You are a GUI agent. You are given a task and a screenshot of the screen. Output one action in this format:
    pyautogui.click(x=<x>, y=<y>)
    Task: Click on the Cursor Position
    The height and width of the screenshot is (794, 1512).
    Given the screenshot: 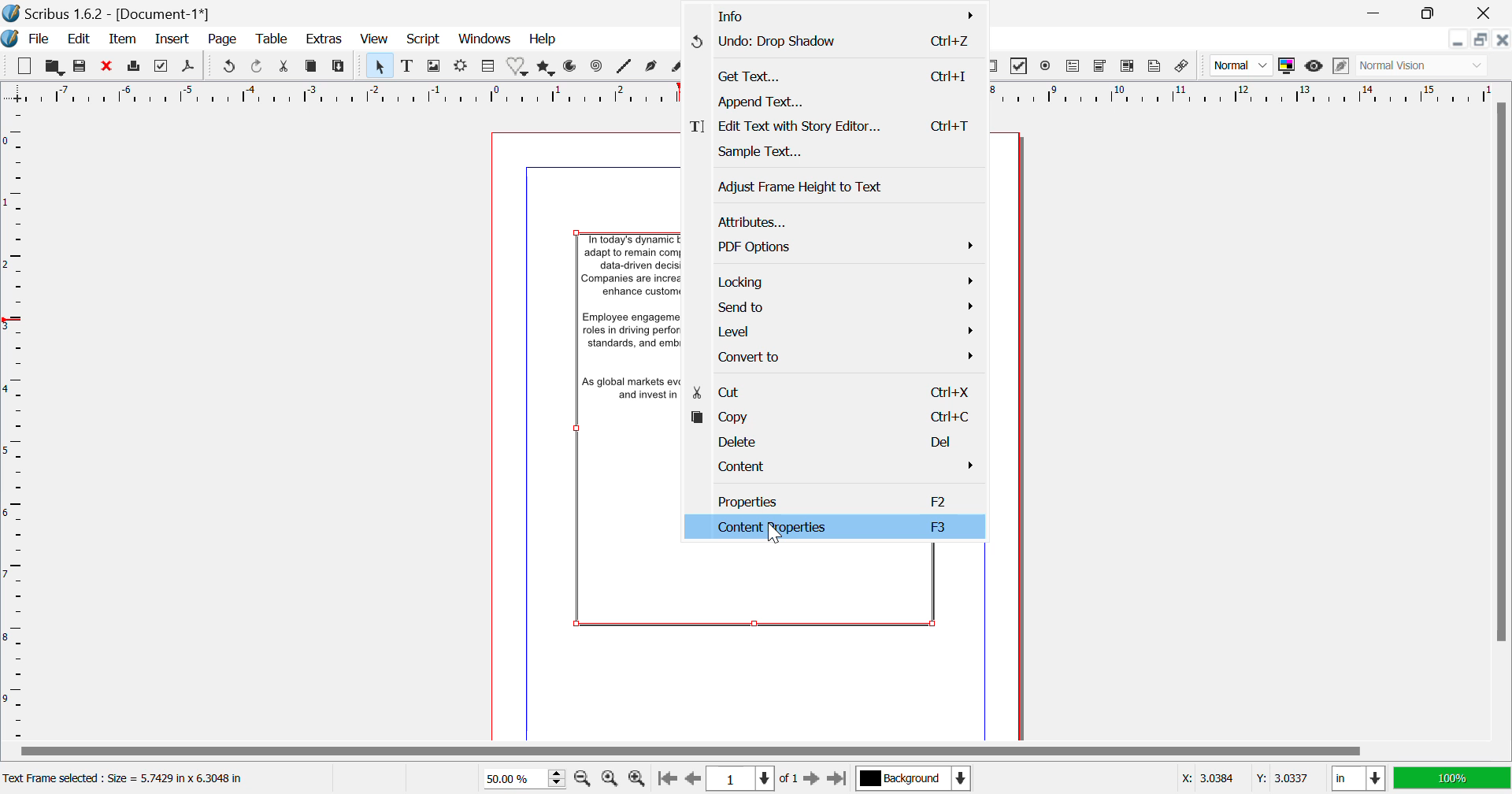 What is the action you would take?
    pyautogui.click(x=1248, y=779)
    